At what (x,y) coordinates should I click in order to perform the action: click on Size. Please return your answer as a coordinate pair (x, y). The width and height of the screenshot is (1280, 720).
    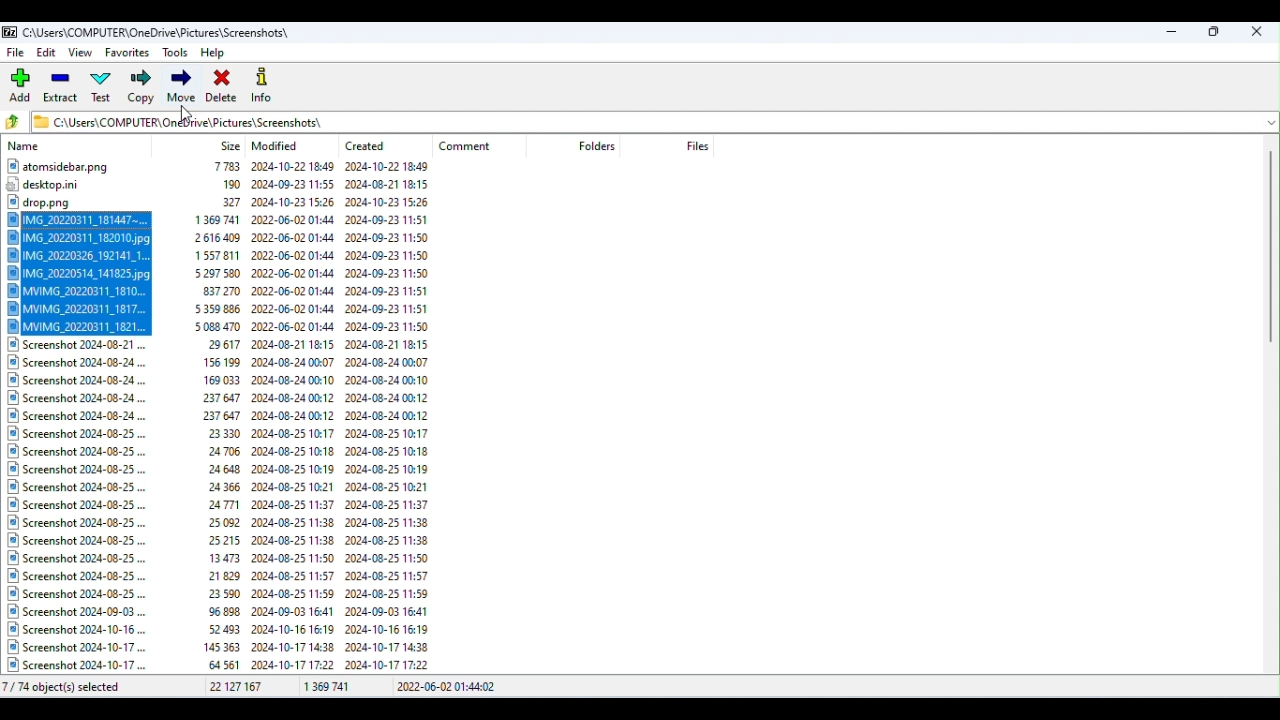
    Looking at the image, I should click on (231, 145).